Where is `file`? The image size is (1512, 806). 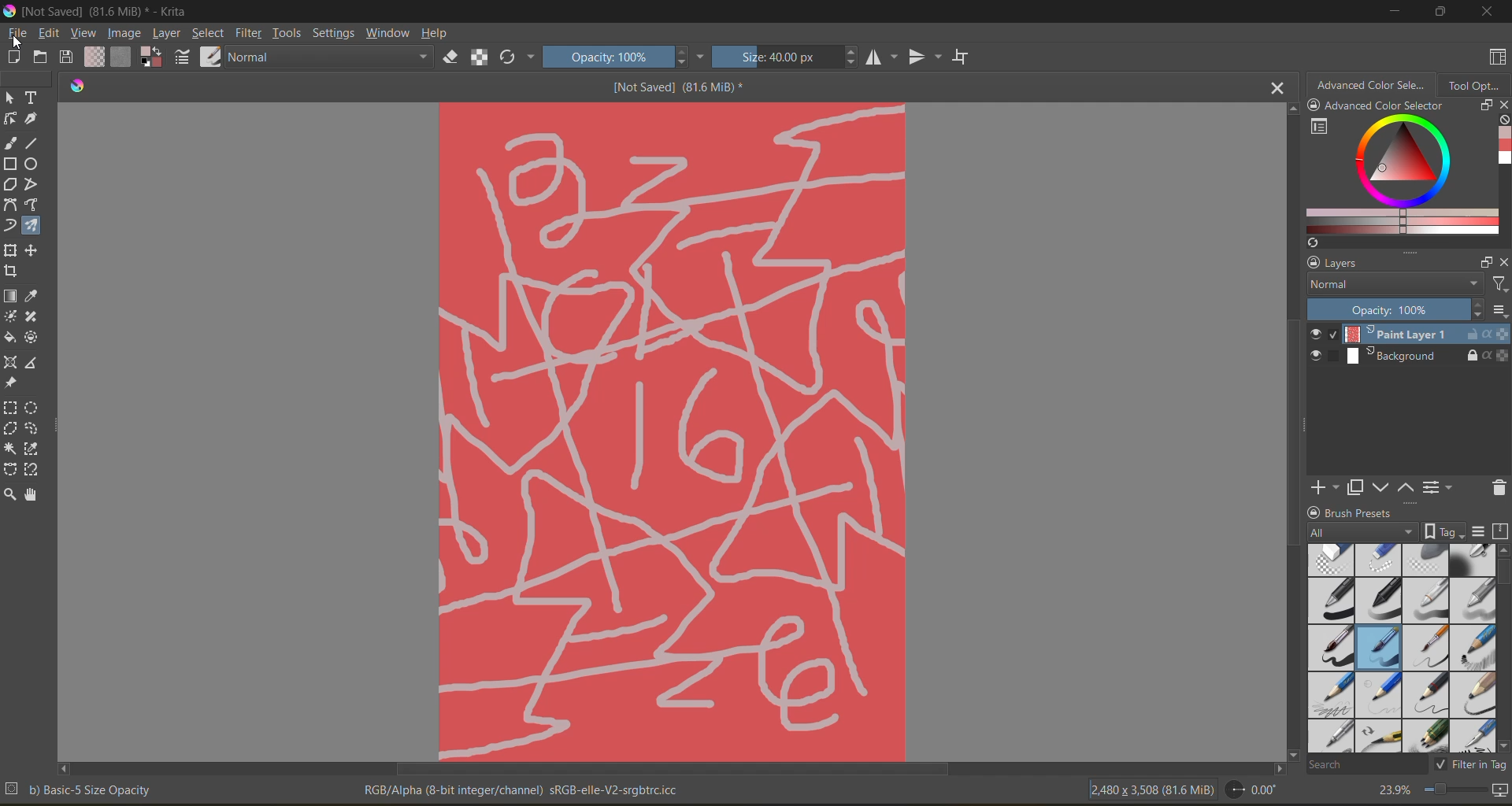
file is located at coordinates (18, 31).